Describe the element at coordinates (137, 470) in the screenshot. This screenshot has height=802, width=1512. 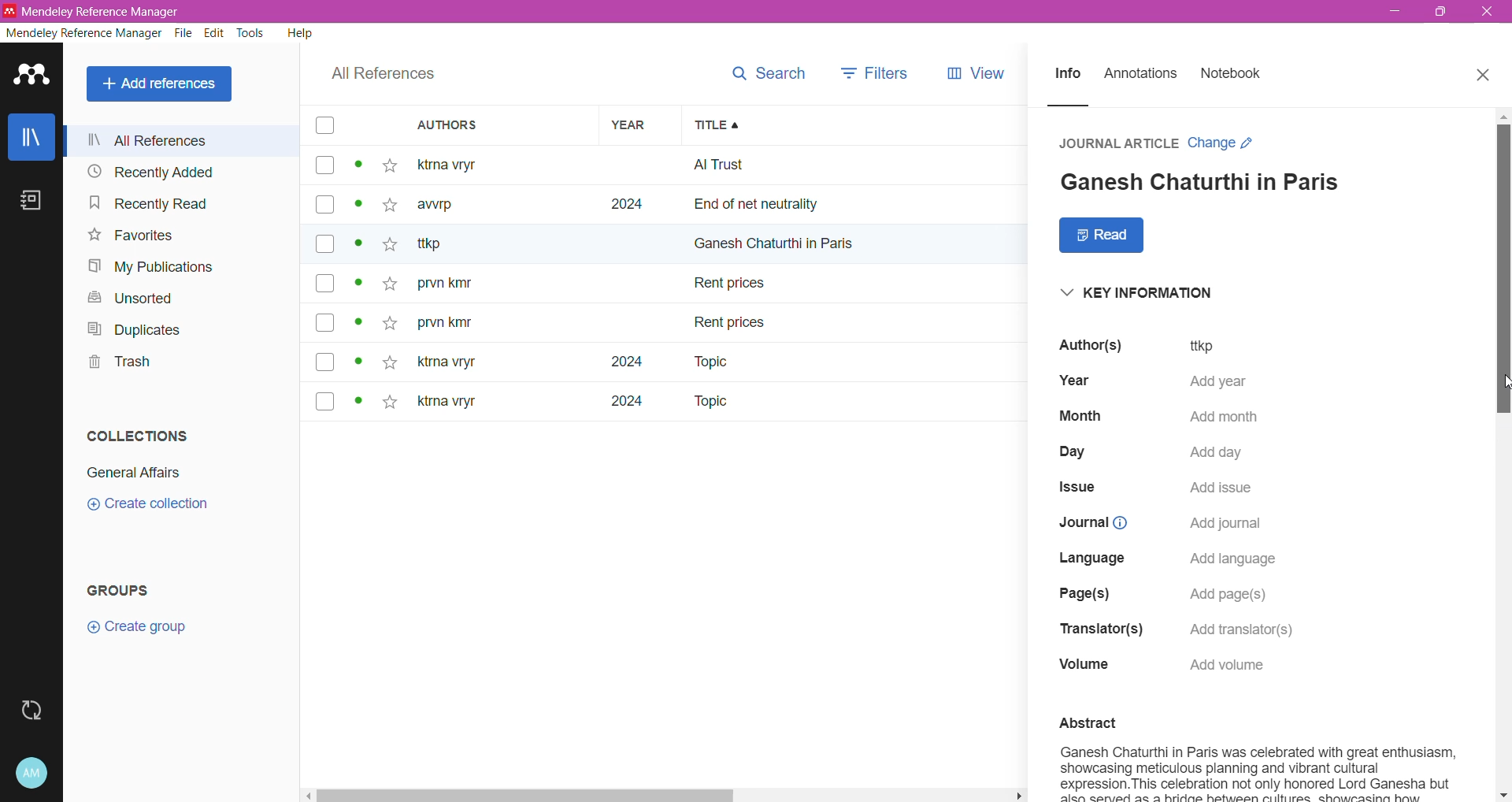
I see `Collection Name` at that location.